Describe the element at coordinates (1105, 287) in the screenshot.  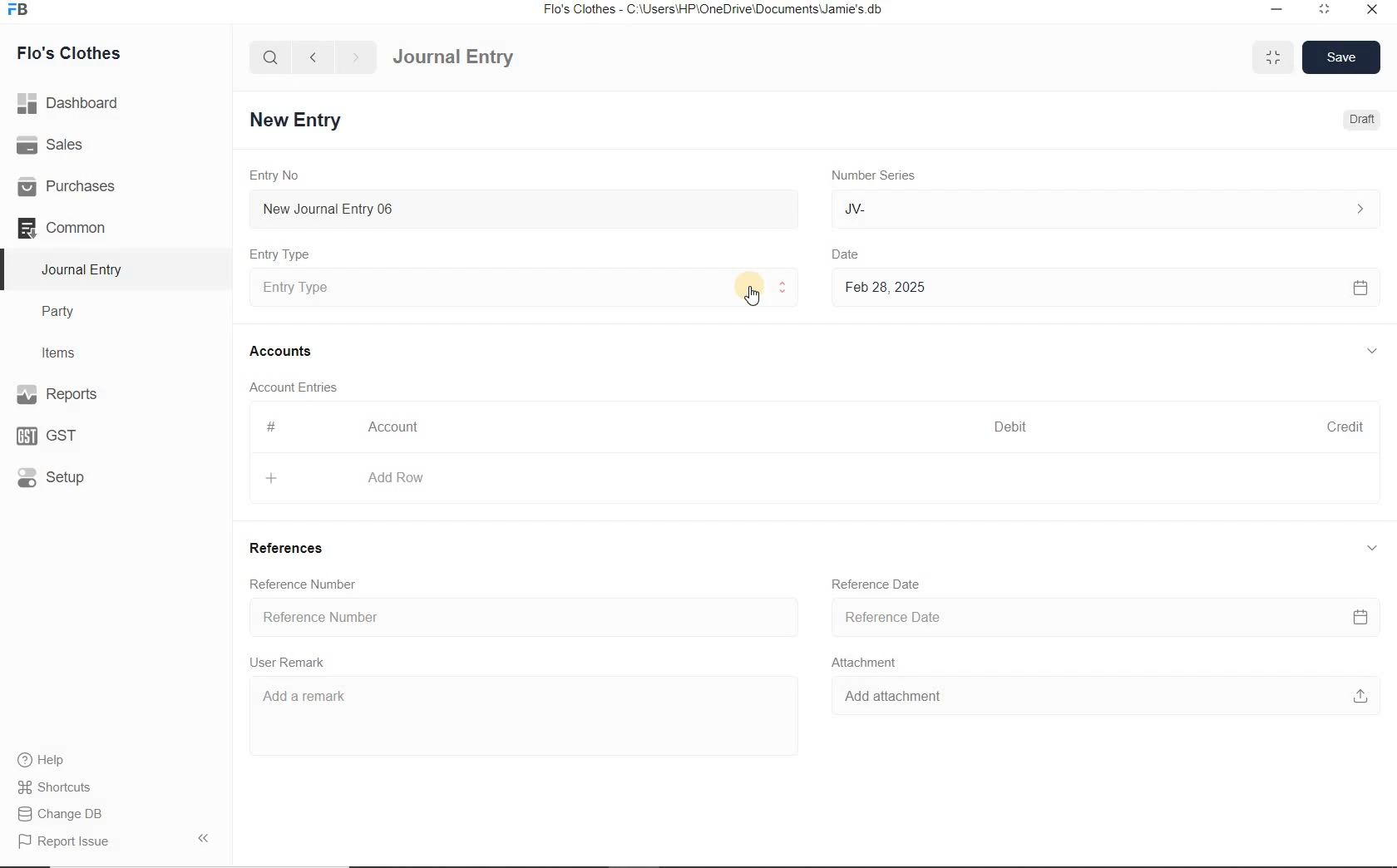
I see `Feb 28, 2025` at that location.